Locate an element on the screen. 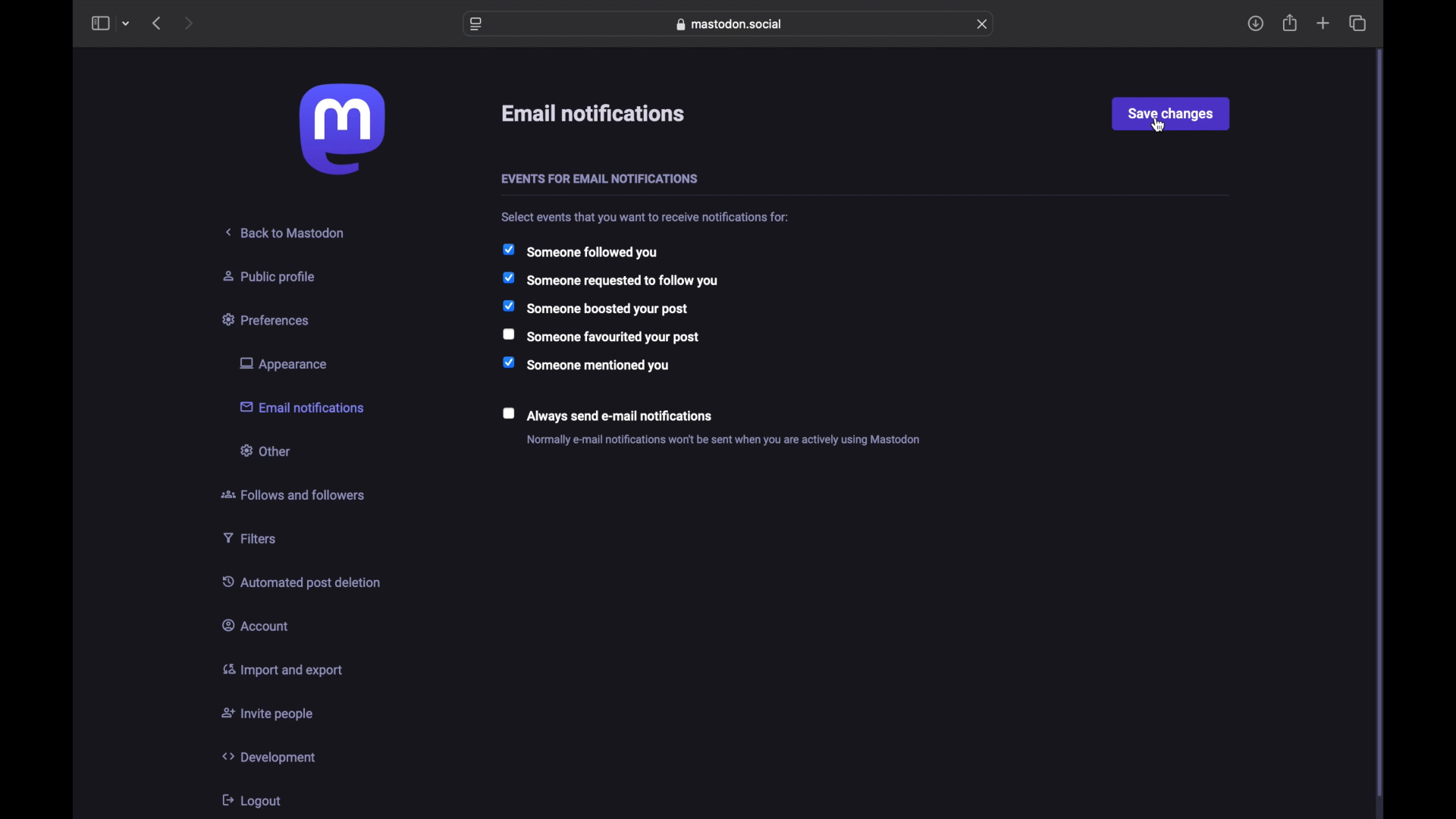  save changes is located at coordinates (1170, 113).